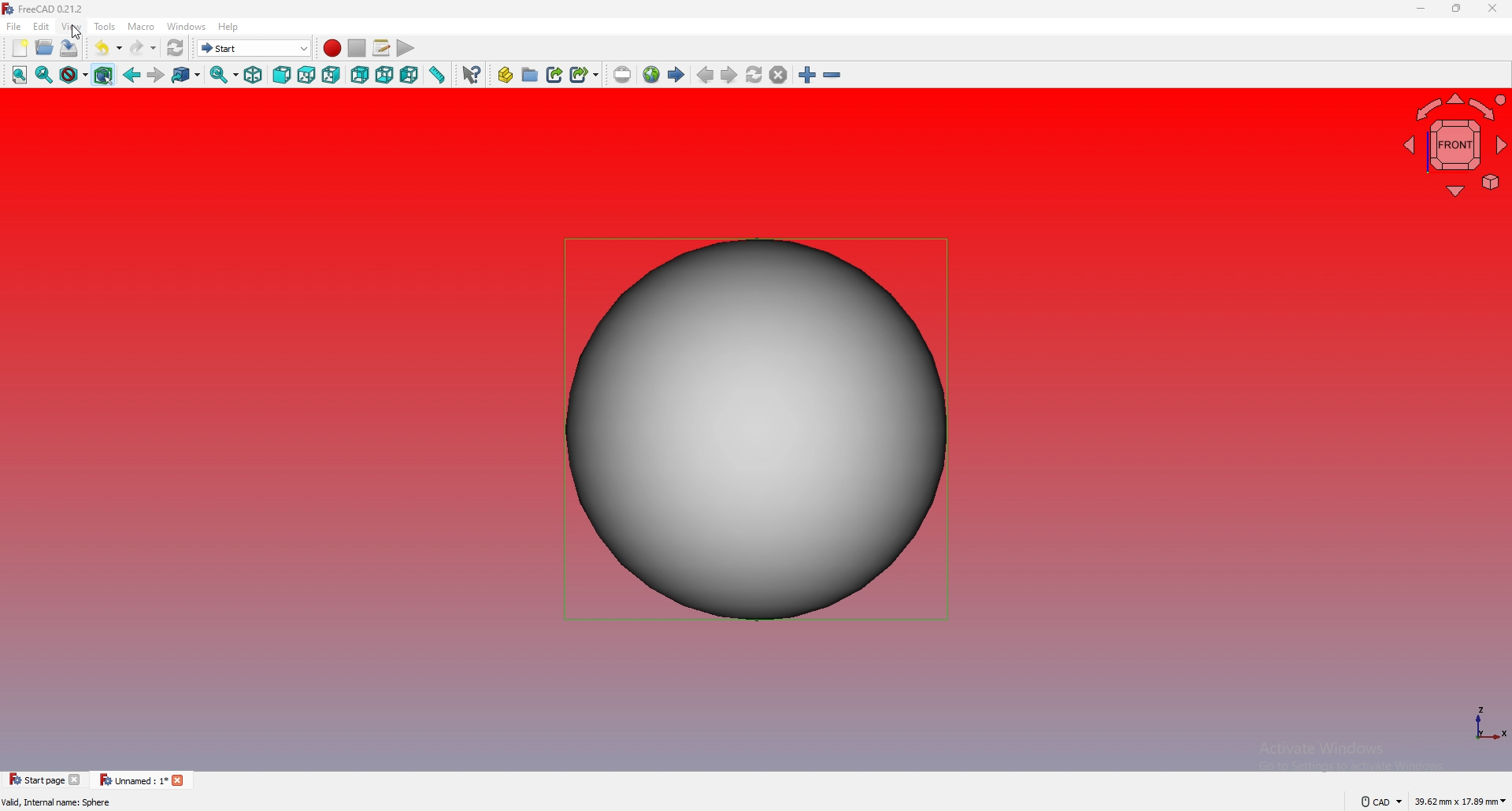 The width and height of the screenshot is (1512, 811). What do you see at coordinates (472, 74) in the screenshot?
I see `whats this` at bounding box center [472, 74].